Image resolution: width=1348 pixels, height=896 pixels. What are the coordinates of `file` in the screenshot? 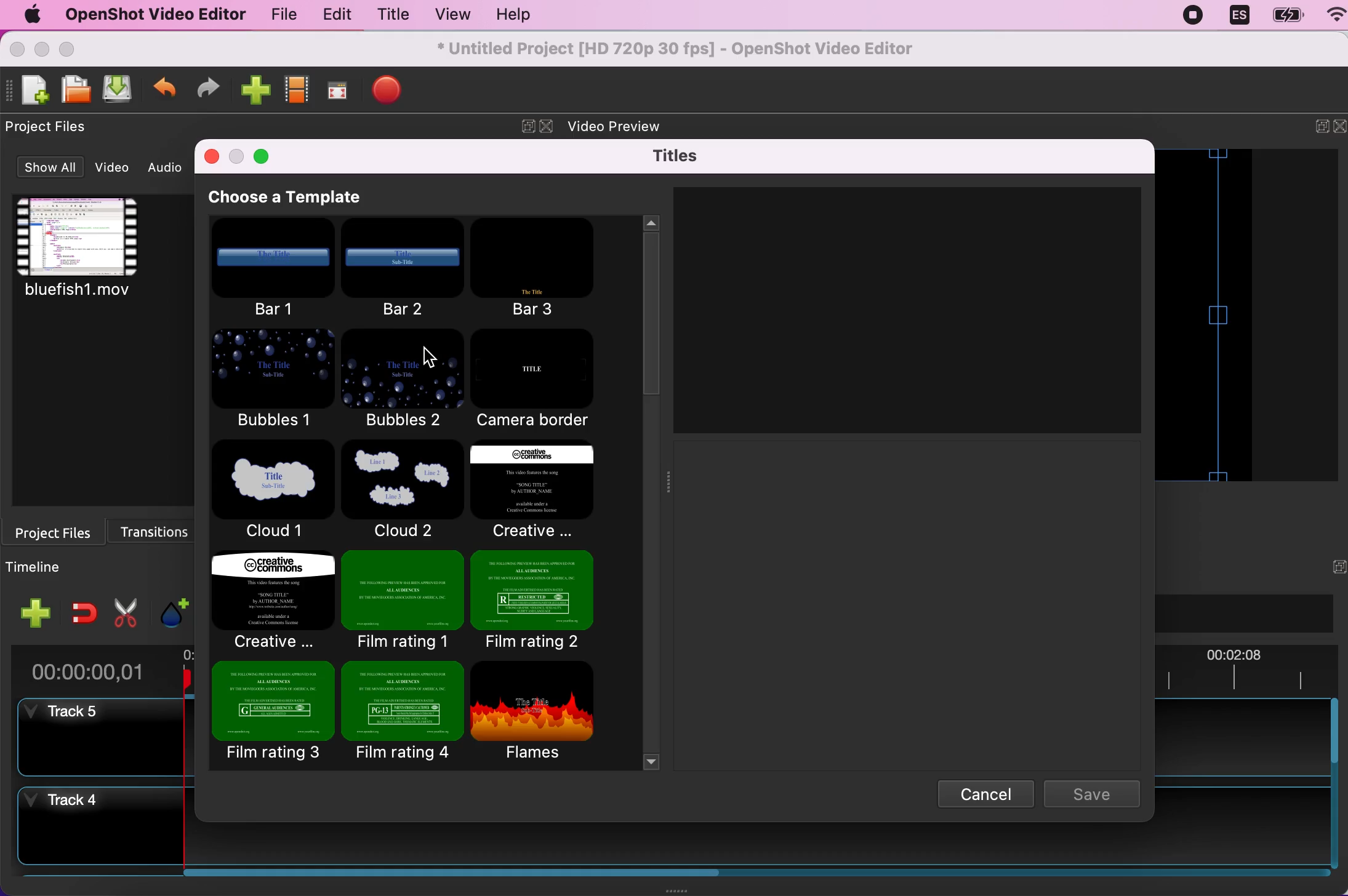 It's located at (279, 17).